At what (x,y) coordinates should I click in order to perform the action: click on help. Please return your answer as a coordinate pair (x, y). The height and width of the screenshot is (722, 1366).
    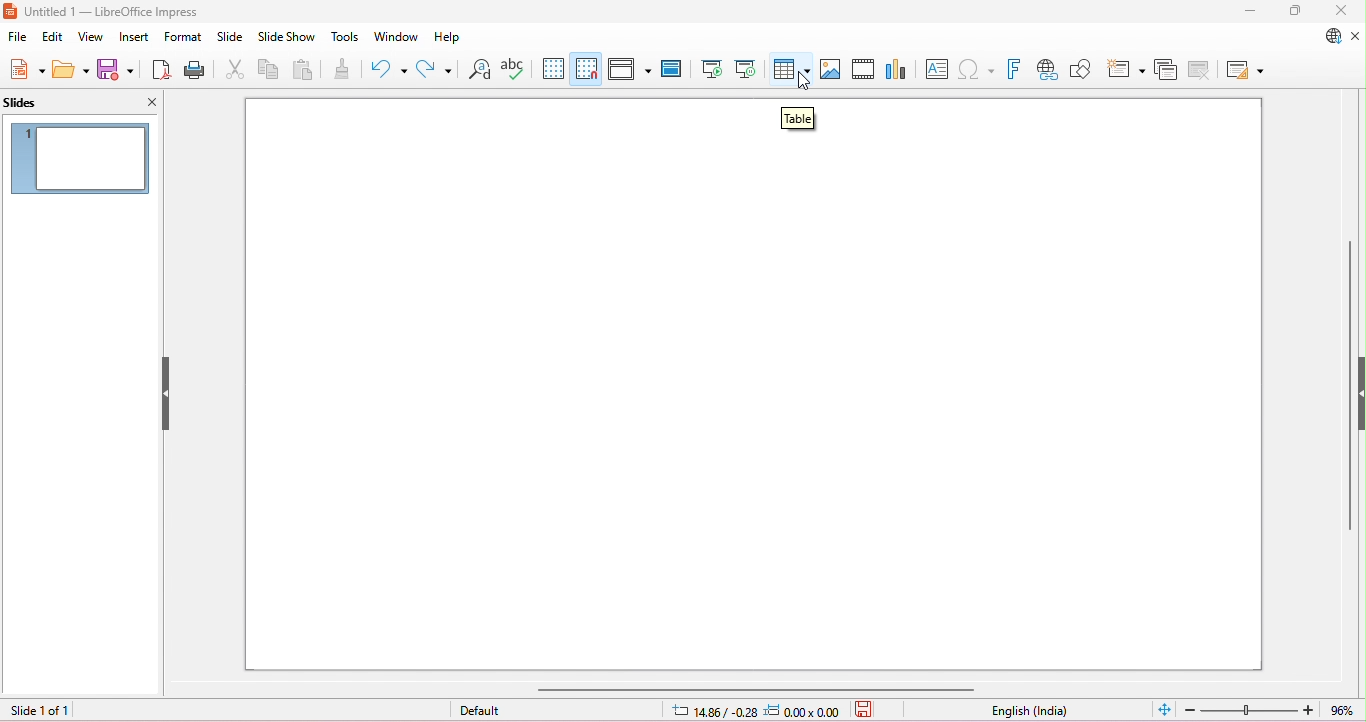
    Looking at the image, I should click on (447, 38).